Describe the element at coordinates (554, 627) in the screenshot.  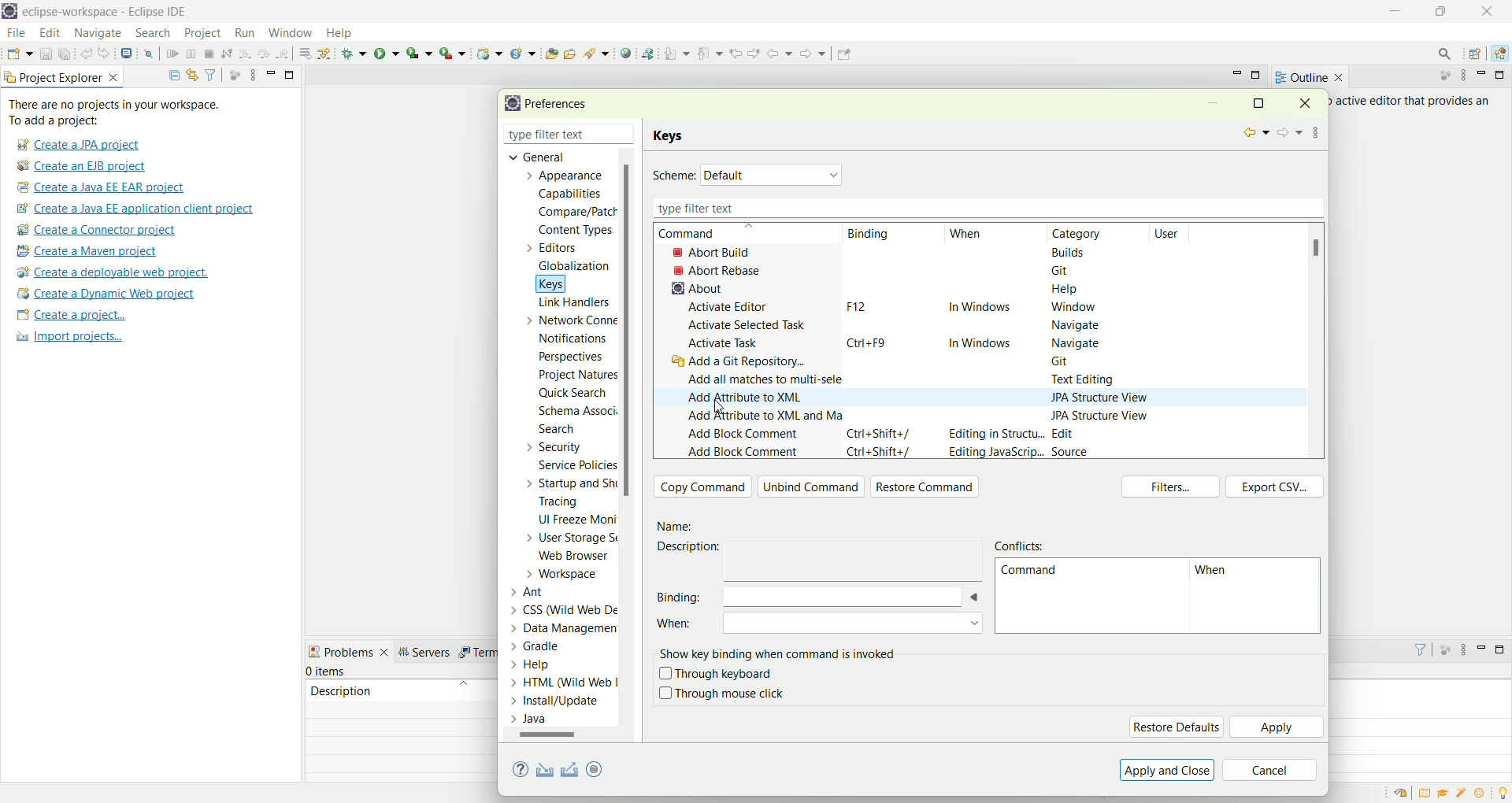
I see ` Data Management` at that location.